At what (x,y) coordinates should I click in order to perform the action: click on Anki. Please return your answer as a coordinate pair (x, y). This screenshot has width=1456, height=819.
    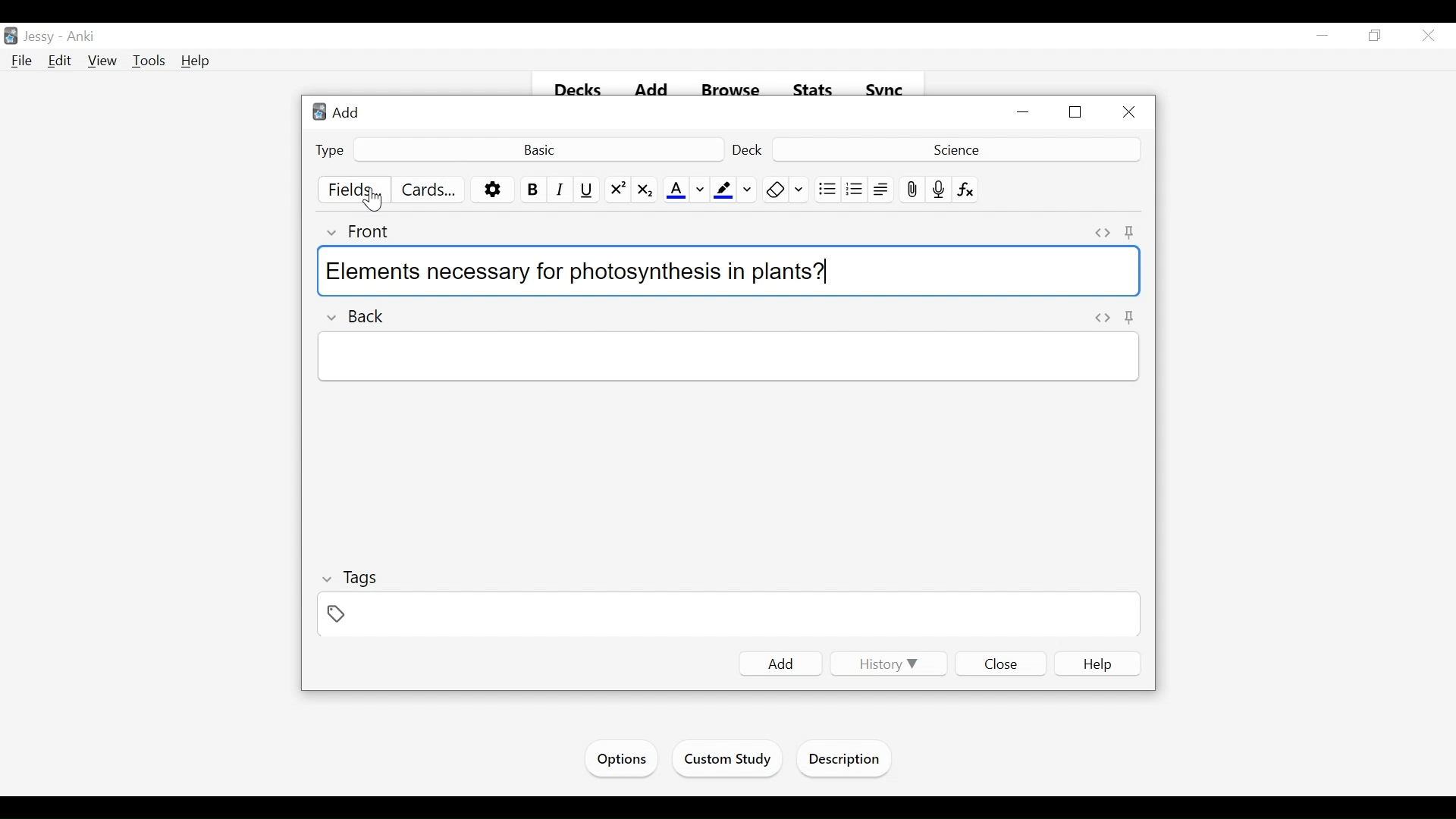
    Looking at the image, I should click on (81, 37).